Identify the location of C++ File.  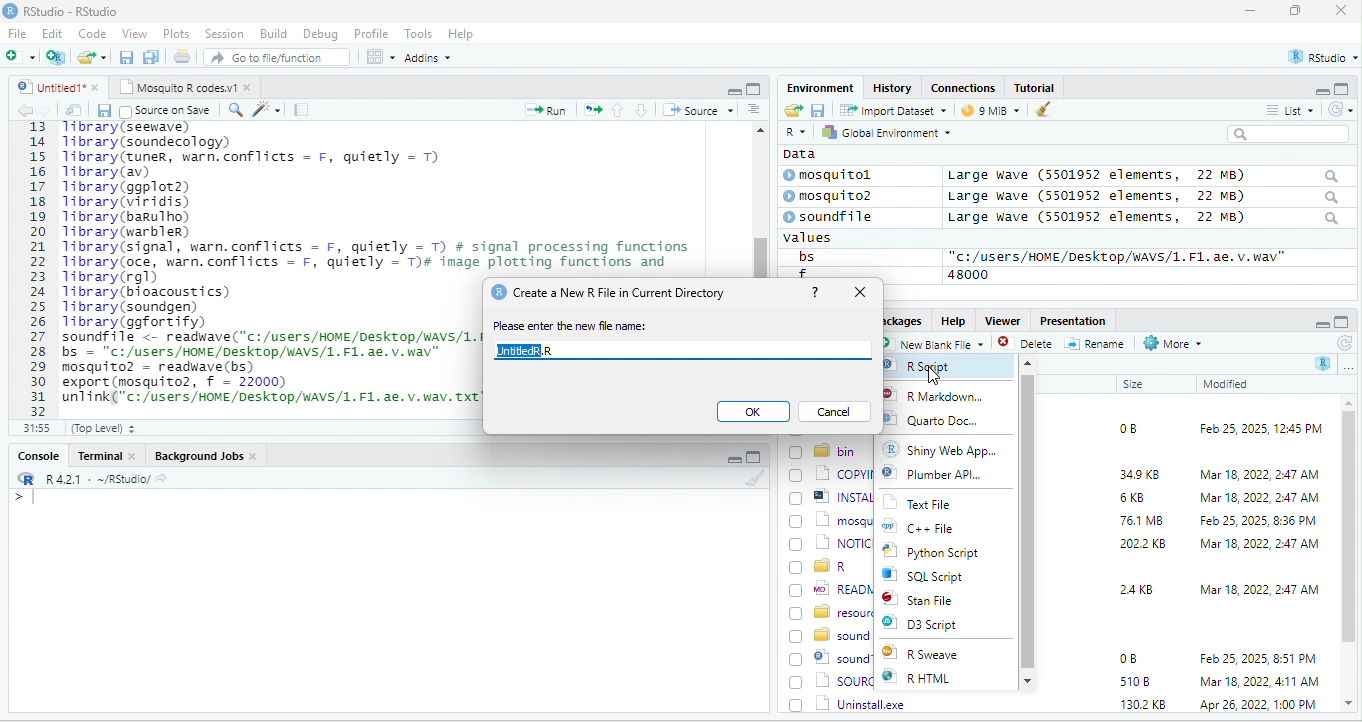
(932, 529).